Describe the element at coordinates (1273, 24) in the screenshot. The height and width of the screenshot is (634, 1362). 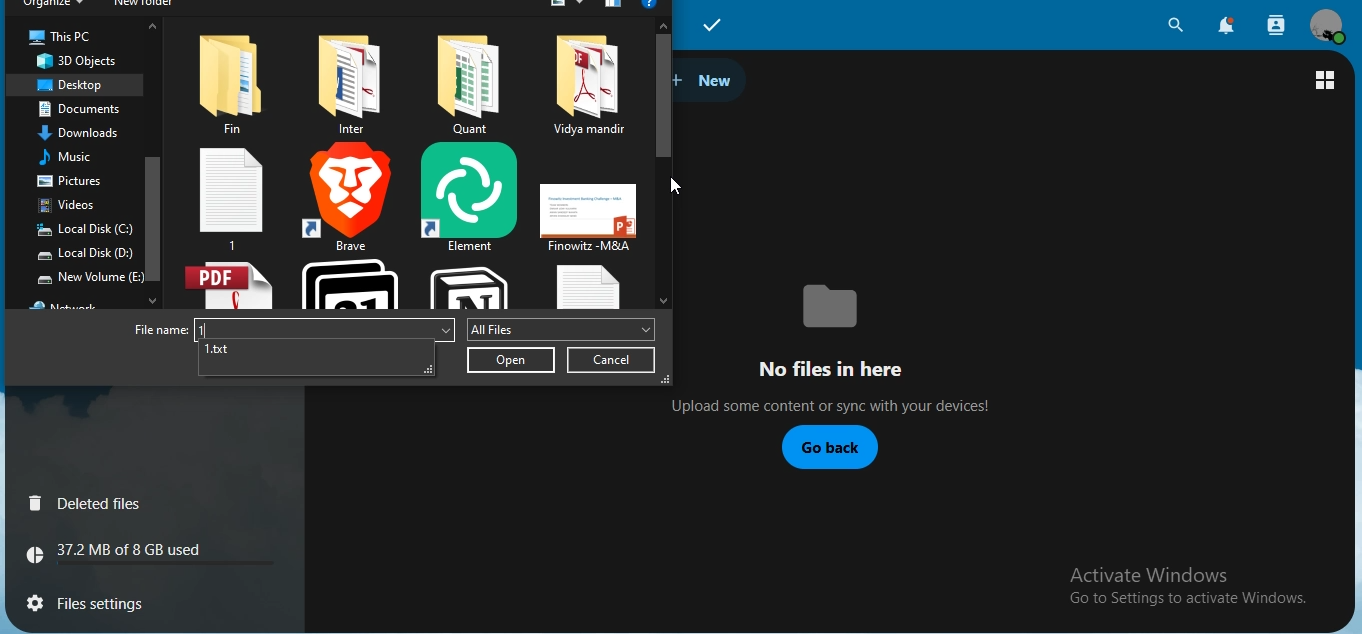
I see `search contacts` at that location.